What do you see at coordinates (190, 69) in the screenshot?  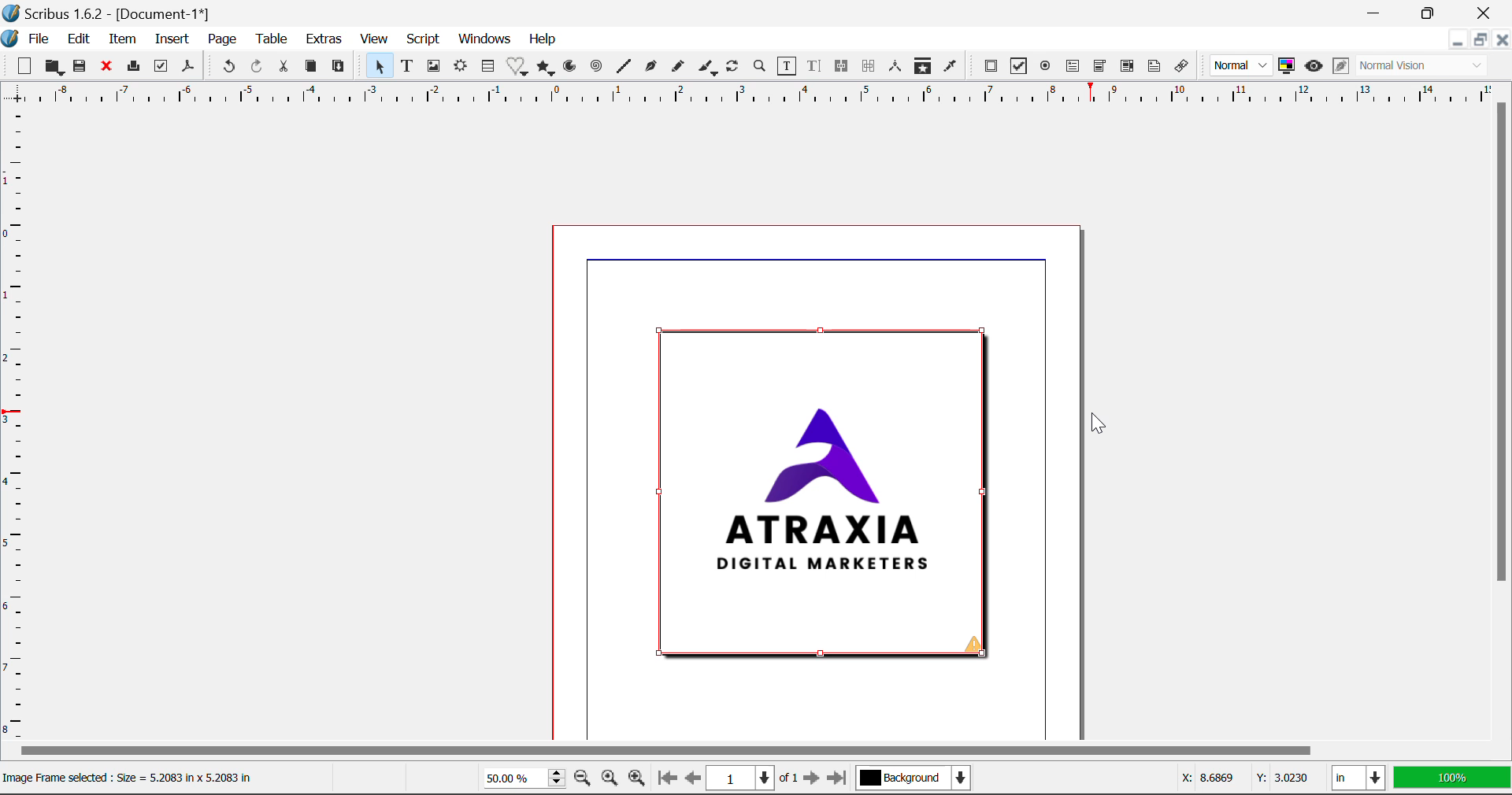 I see `Save as Pdf` at bounding box center [190, 69].